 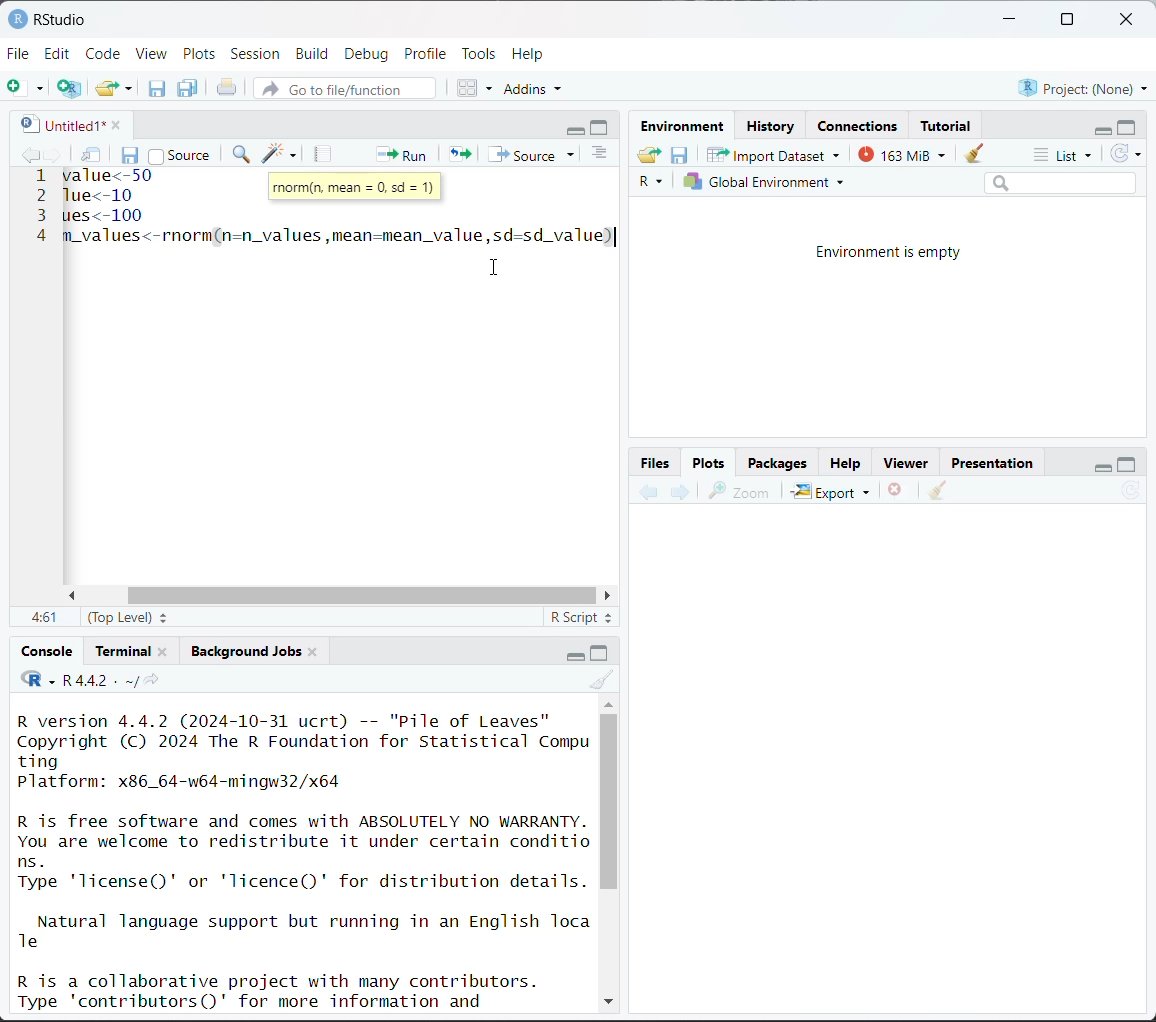 What do you see at coordinates (535, 154) in the screenshot?
I see `source` at bounding box center [535, 154].